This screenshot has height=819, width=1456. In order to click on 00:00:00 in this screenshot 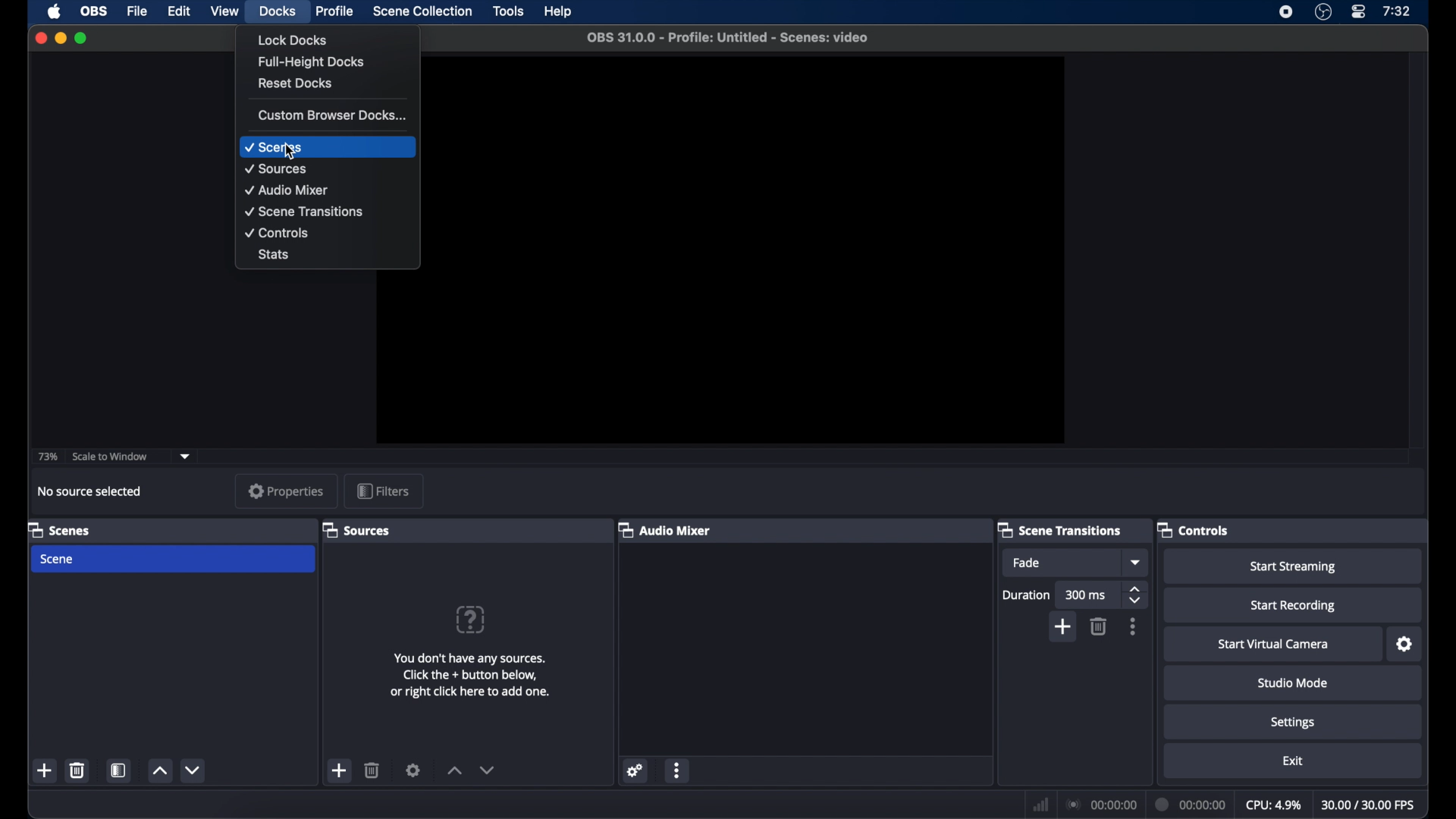, I will do `click(1100, 804)`.